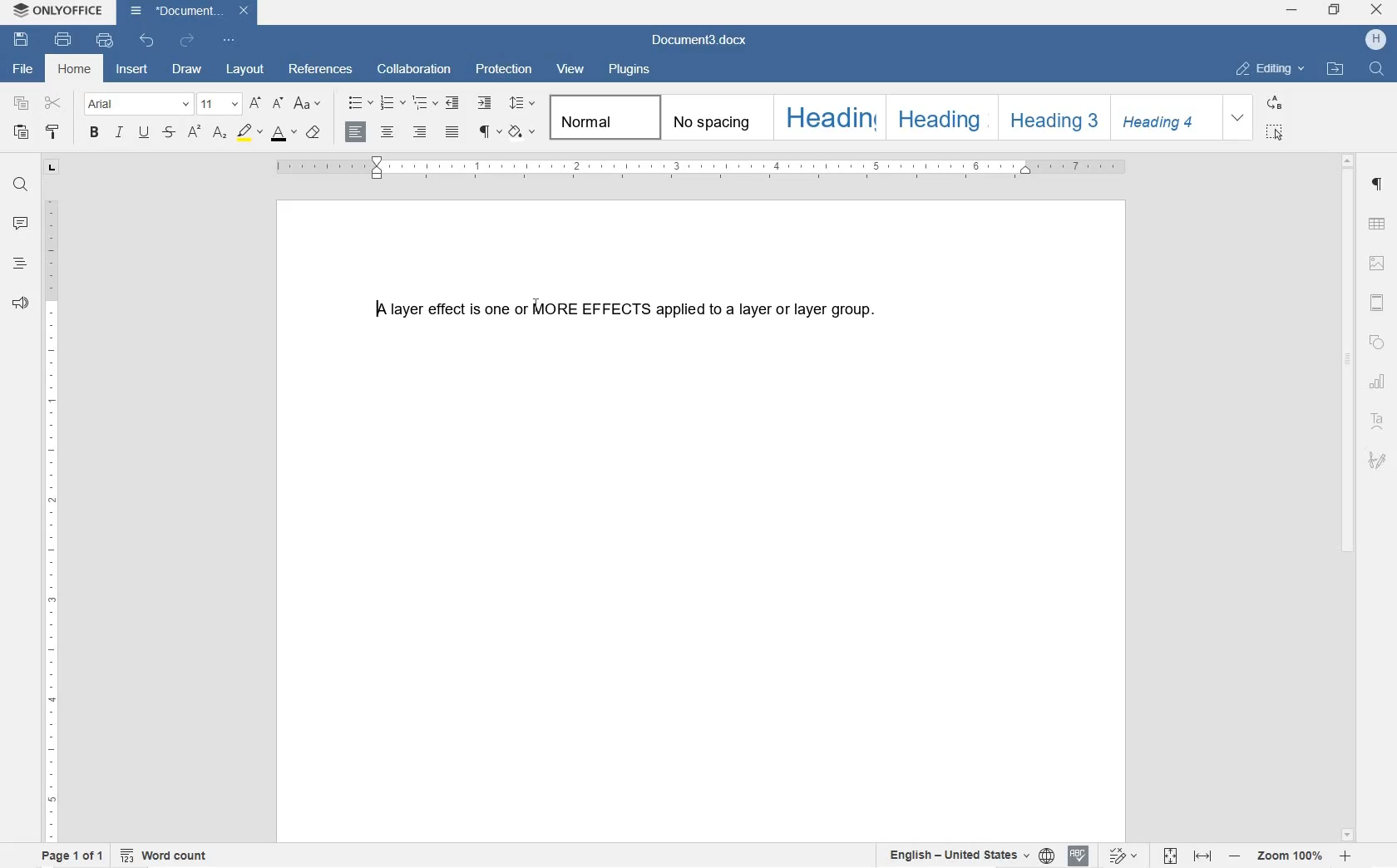 The height and width of the screenshot is (868, 1397). What do you see at coordinates (1335, 12) in the screenshot?
I see `RESTORE` at bounding box center [1335, 12].